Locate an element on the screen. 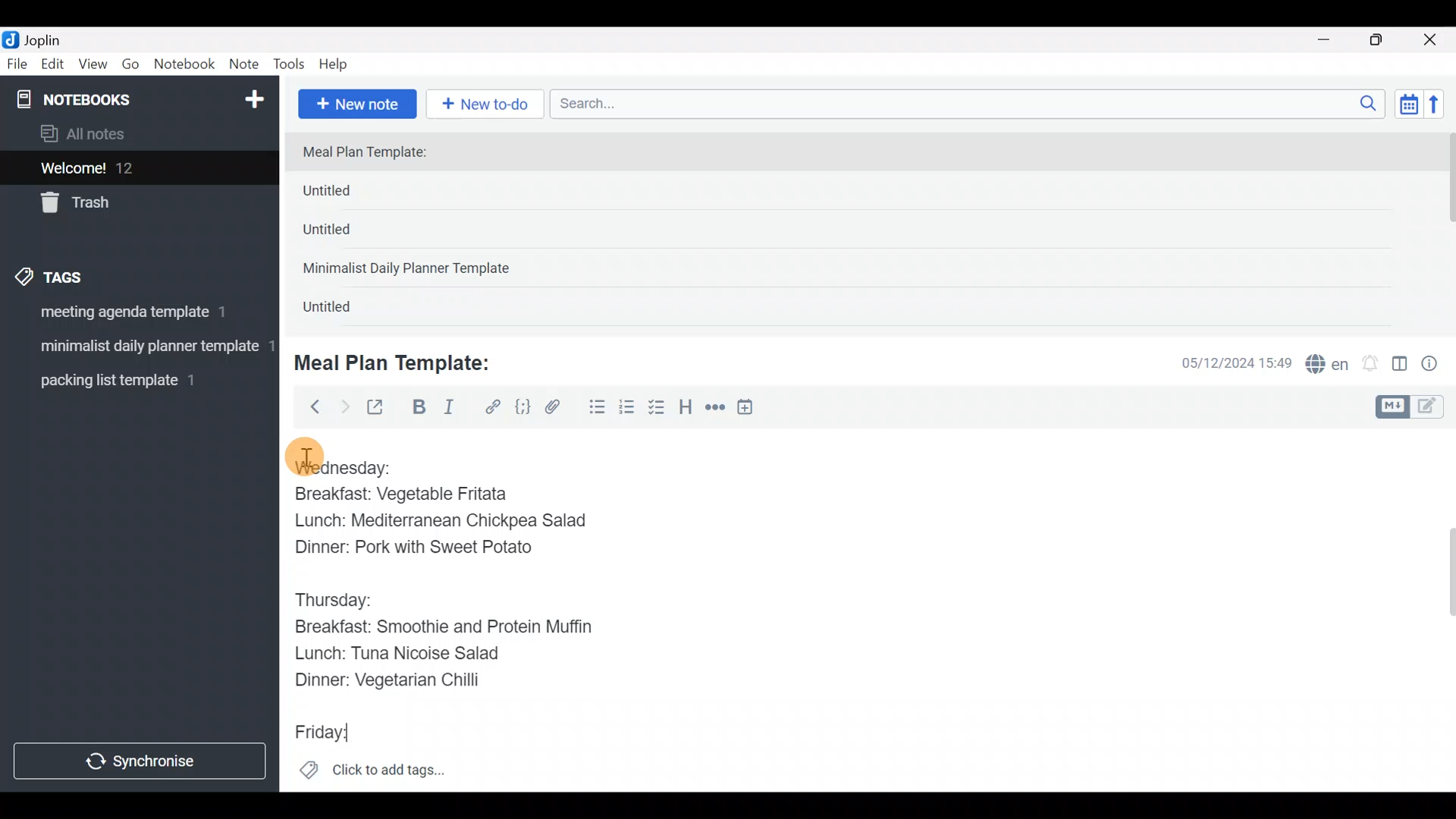 This screenshot has height=819, width=1456. Friday: is located at coordinates (326, 733).